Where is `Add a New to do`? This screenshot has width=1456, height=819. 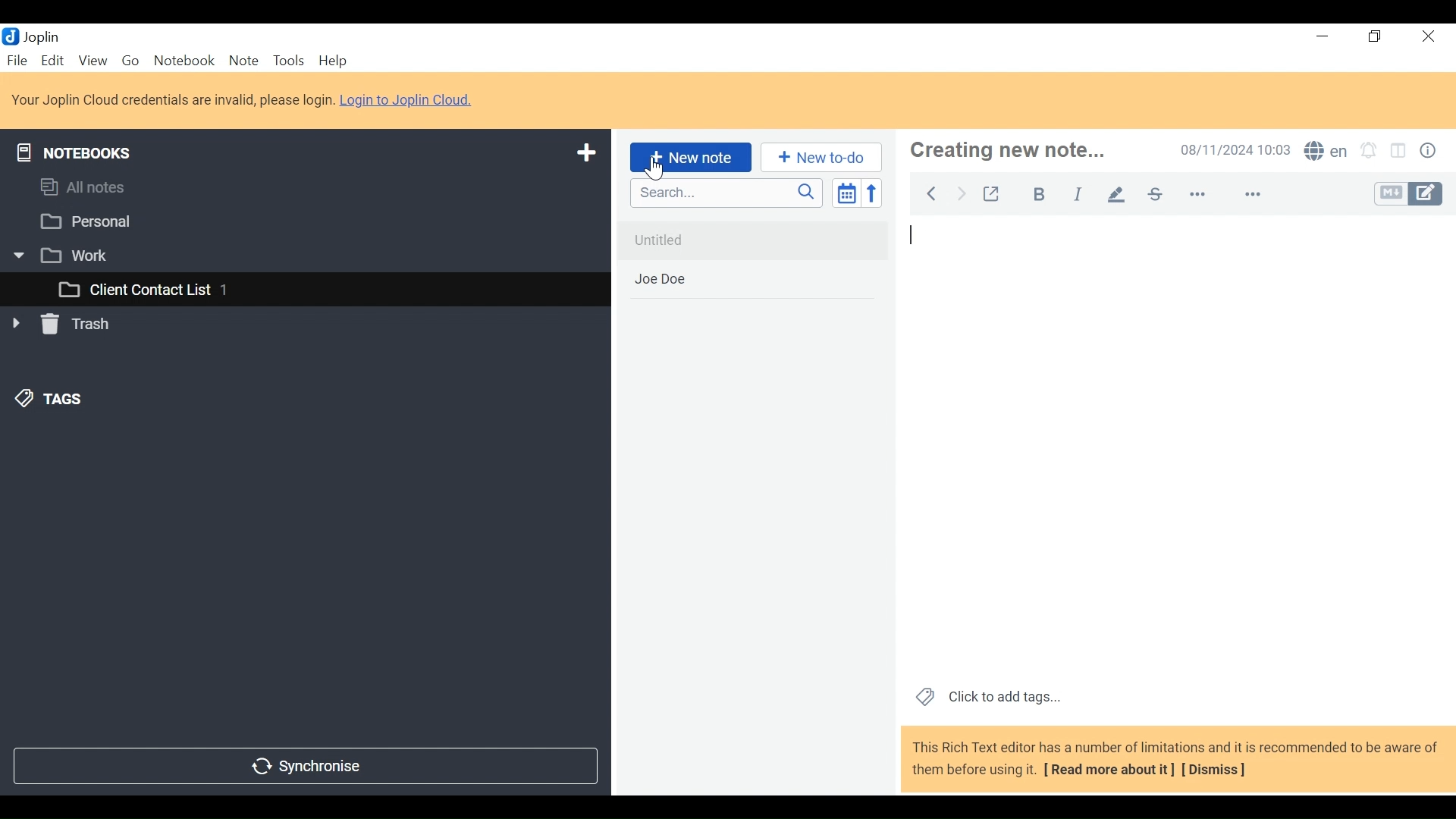
Add a New to do is located at coordinates (821, 157).